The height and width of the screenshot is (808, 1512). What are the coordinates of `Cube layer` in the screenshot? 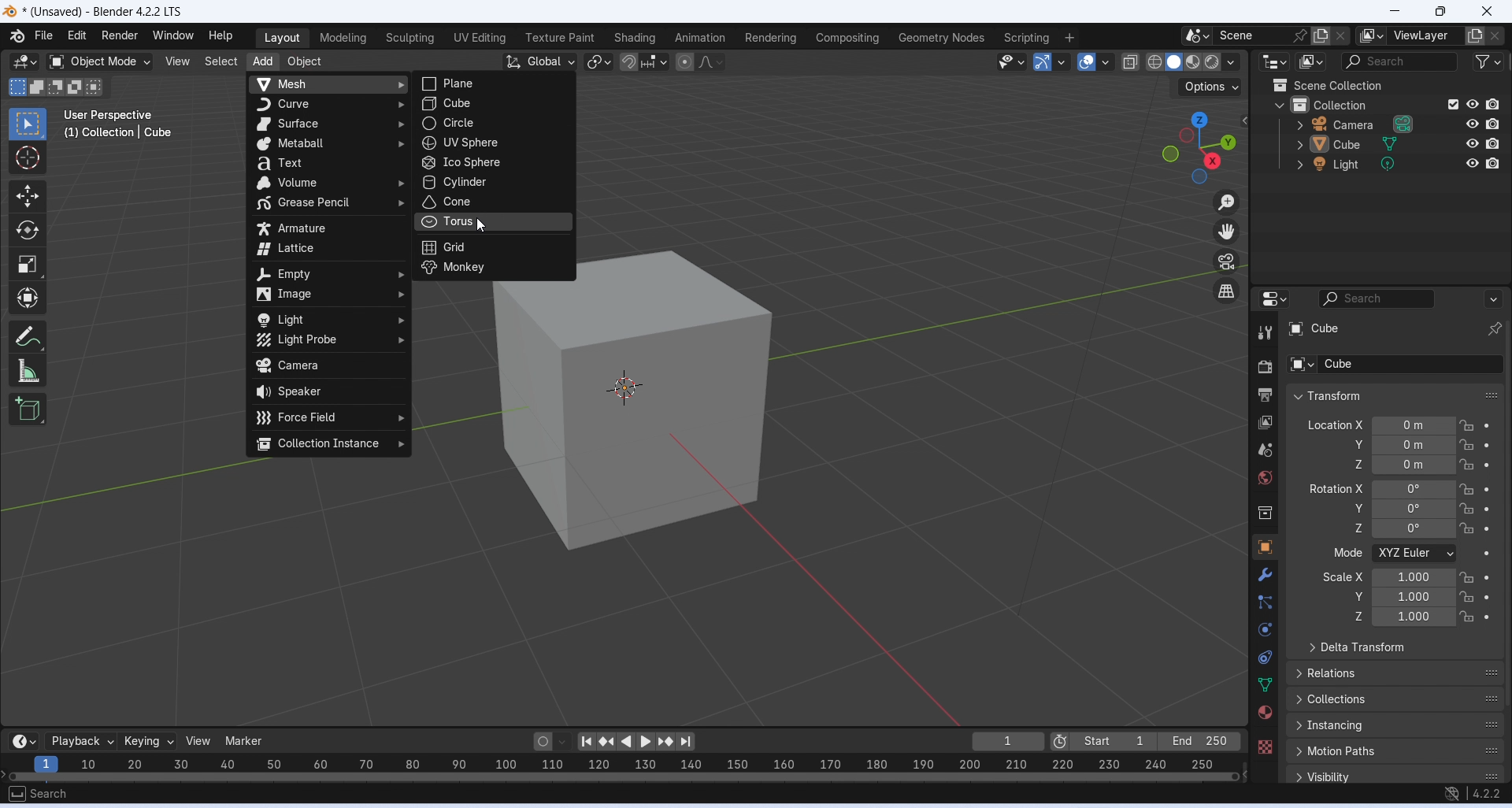 It's located at (1396, 328).